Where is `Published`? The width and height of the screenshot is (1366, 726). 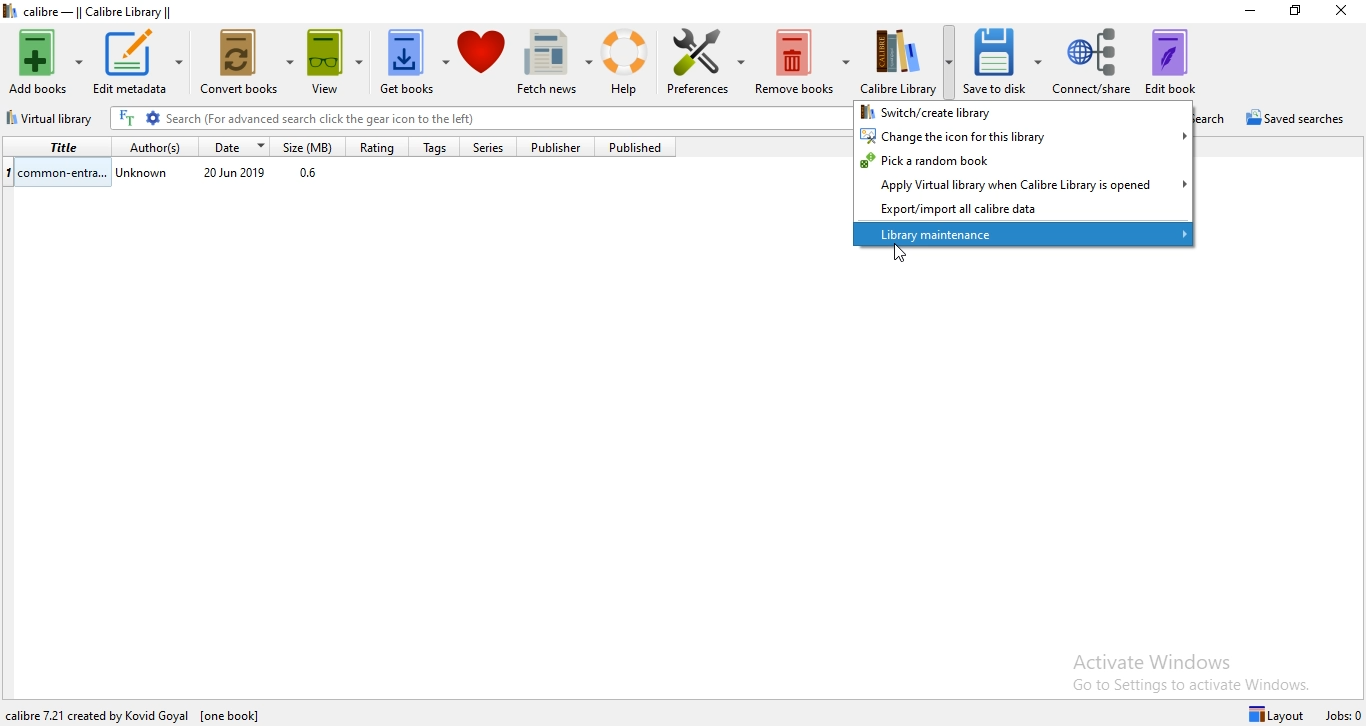 Published is located at coordinates (641, 147).